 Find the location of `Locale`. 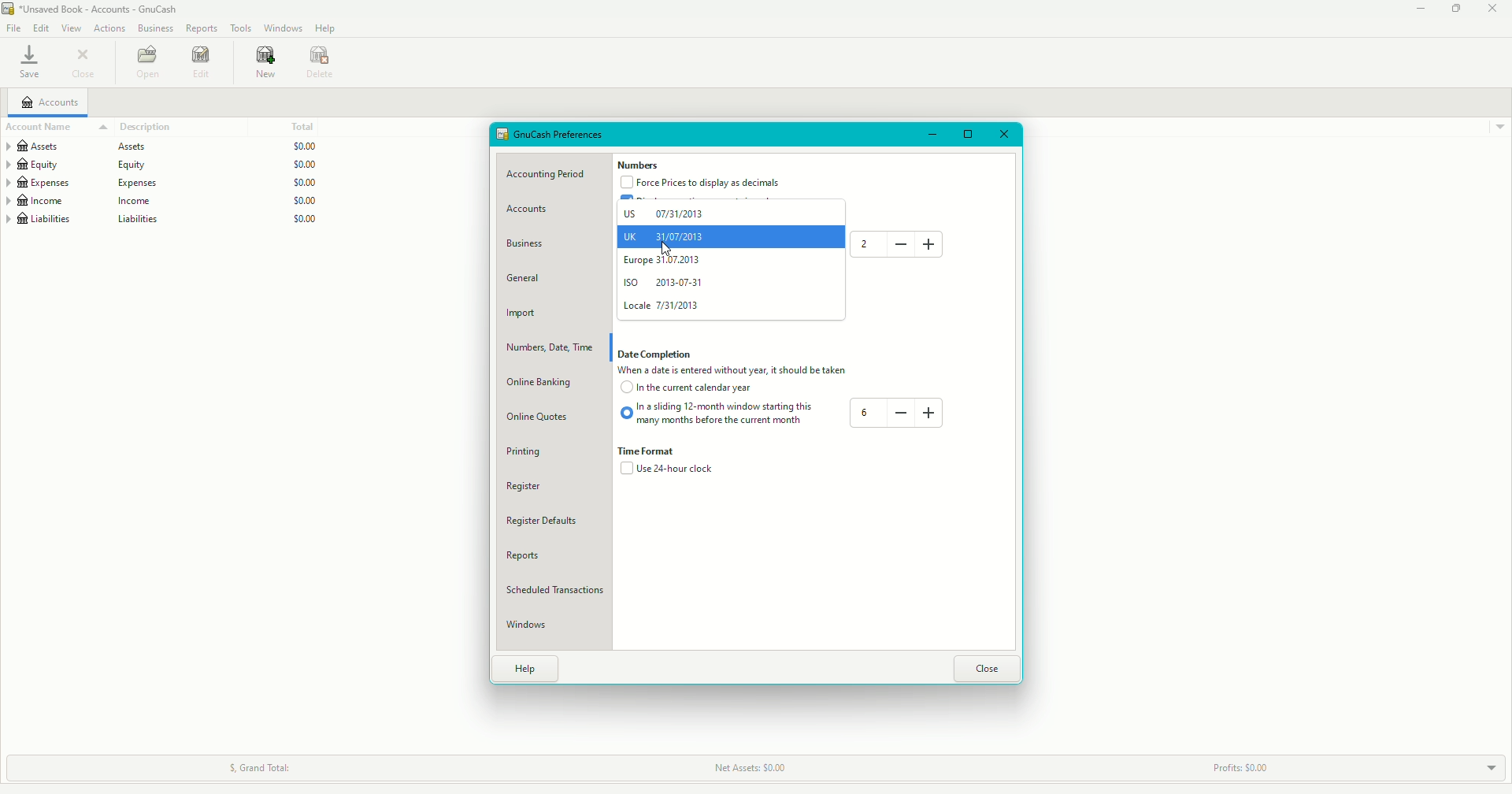

Locale is located at coordinates (662, 306).